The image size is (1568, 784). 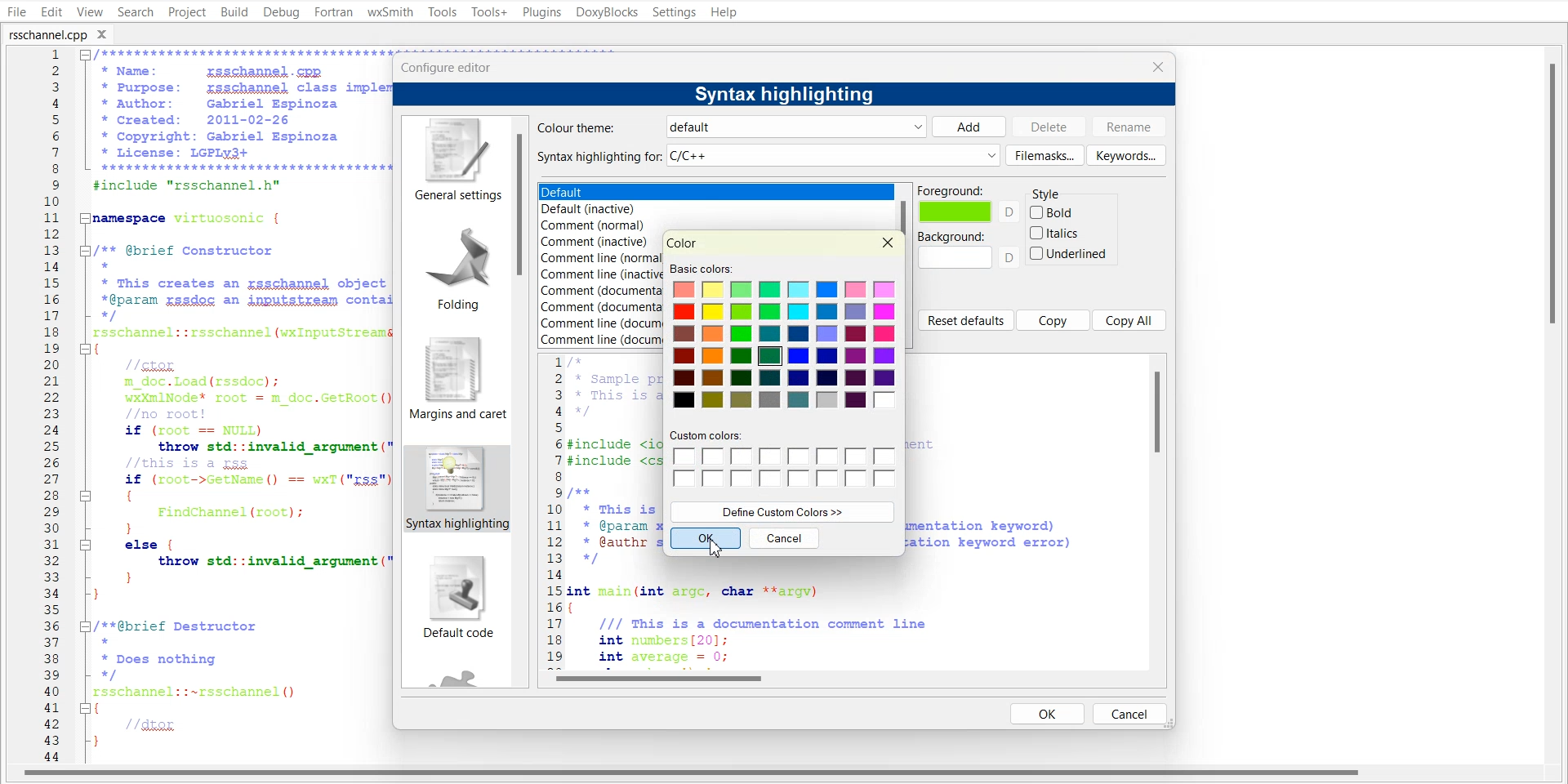 I want to click on Tools, so click(x=442, y=11).